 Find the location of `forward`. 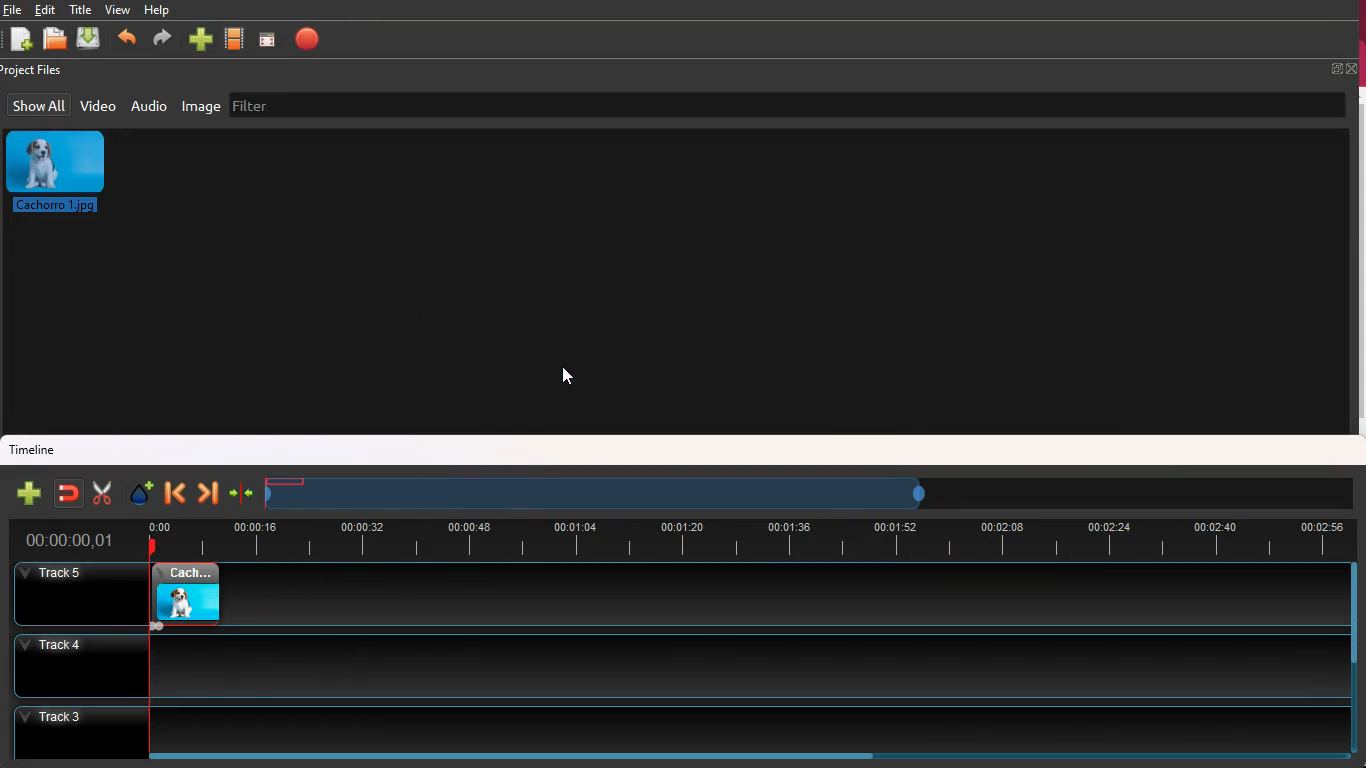

forward is located at coordinates (163, 40).